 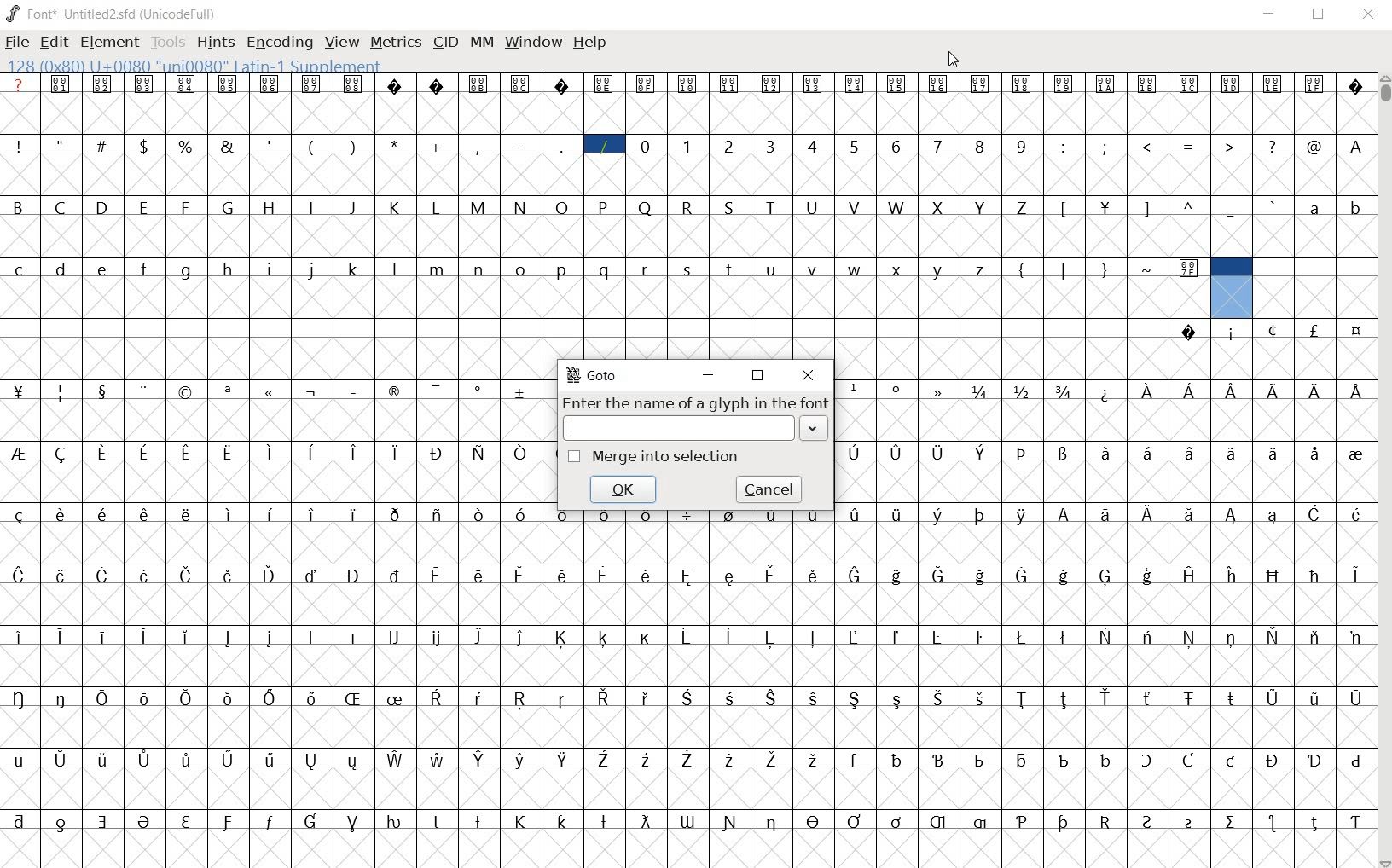 I want to click on y, so click(x=940, y=269).